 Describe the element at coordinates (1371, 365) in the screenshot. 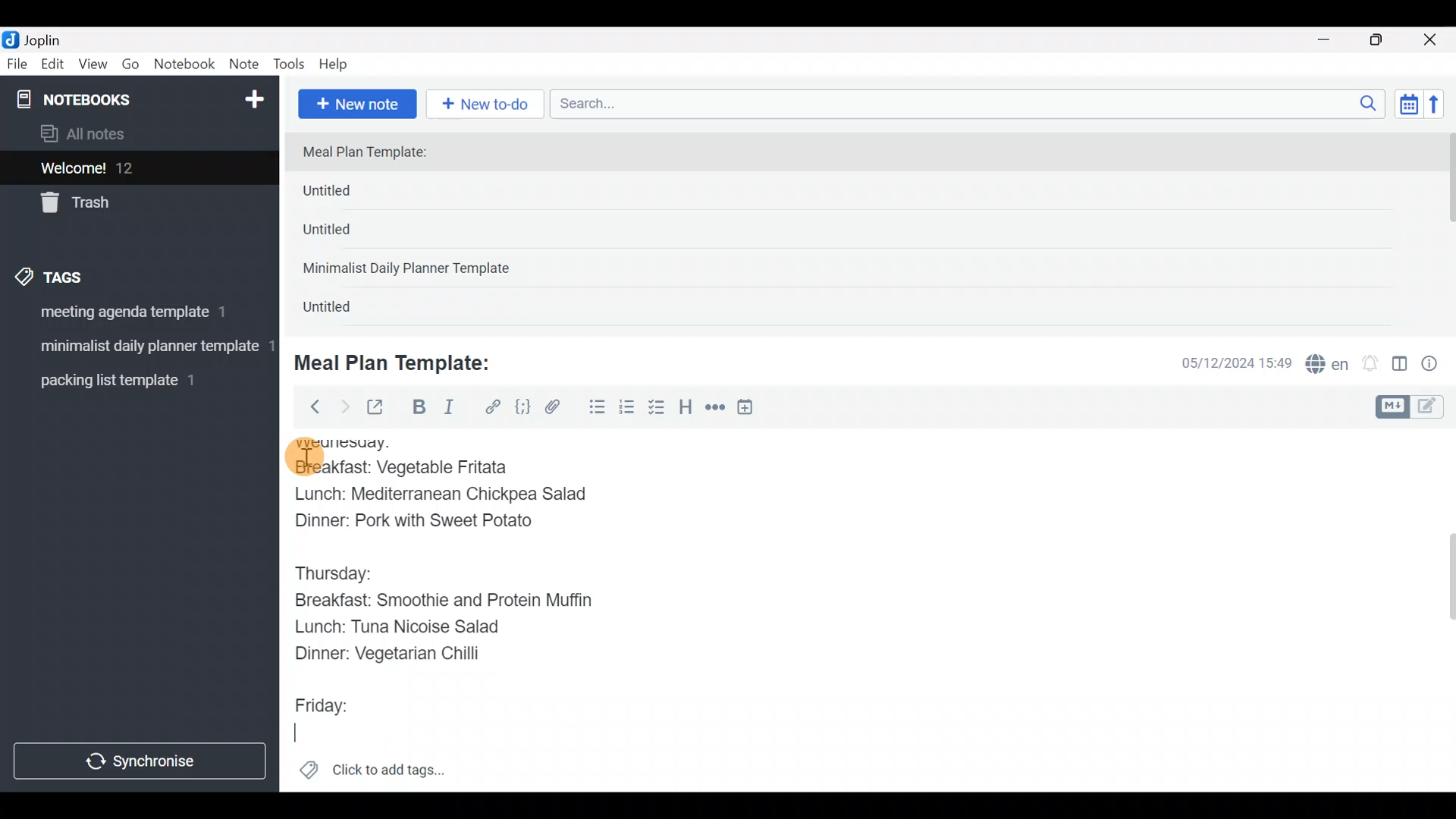

I see `Set alarm` at that location.